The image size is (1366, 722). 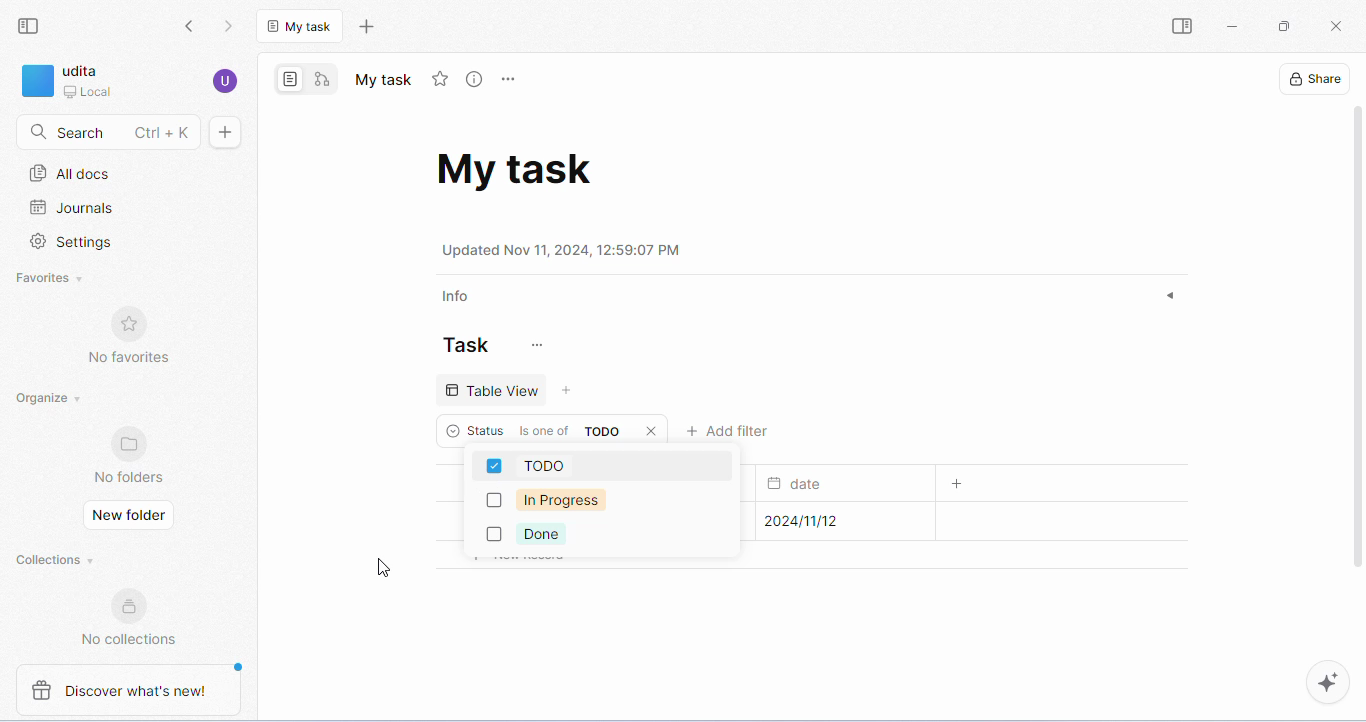 I want to click on collections, so click(x=55, y=560).